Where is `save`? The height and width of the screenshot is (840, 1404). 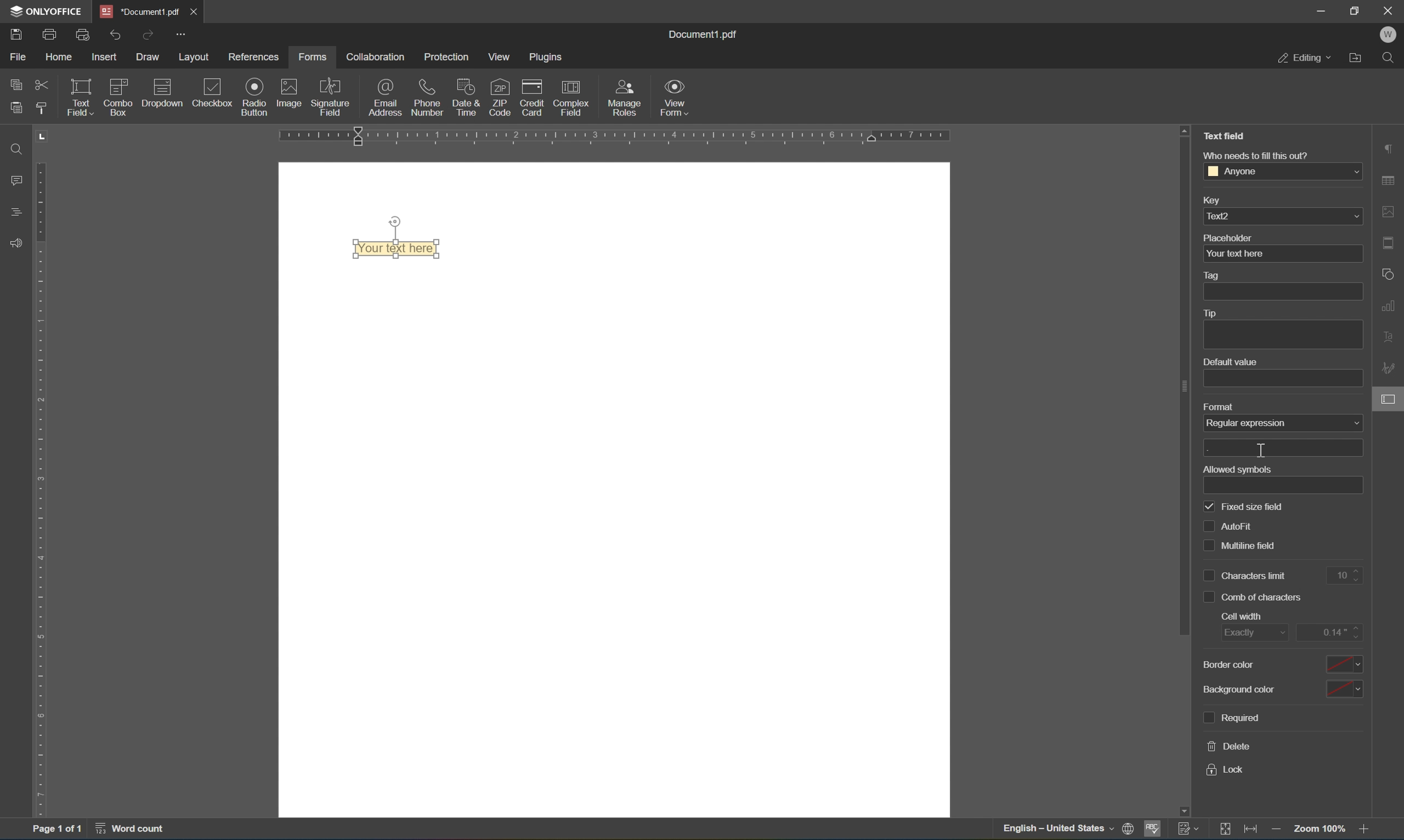 save is located at coordinates (17, 36).